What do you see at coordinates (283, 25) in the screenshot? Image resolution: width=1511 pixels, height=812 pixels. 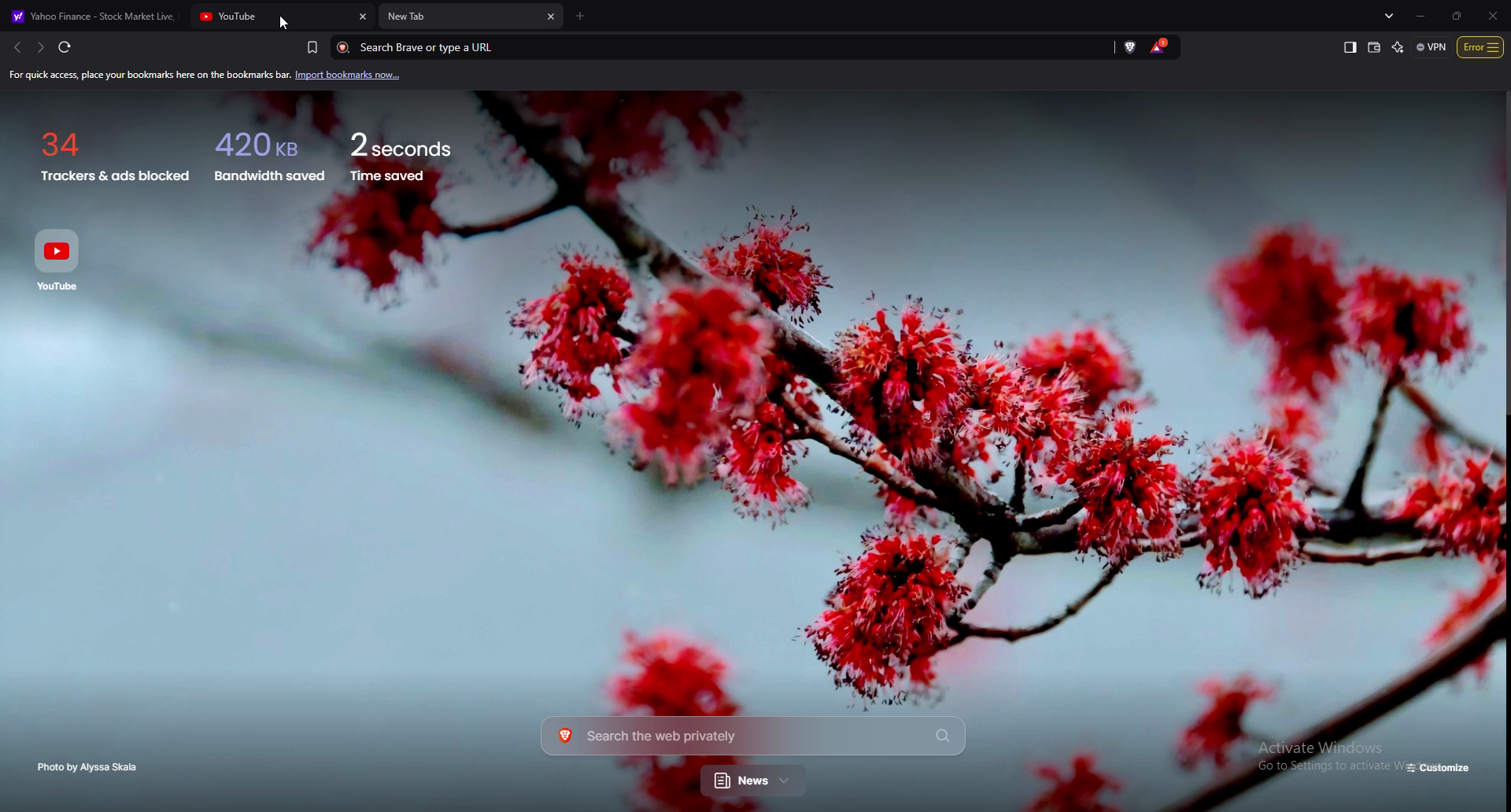 I see `cursor` at bounding box center [283, 25].